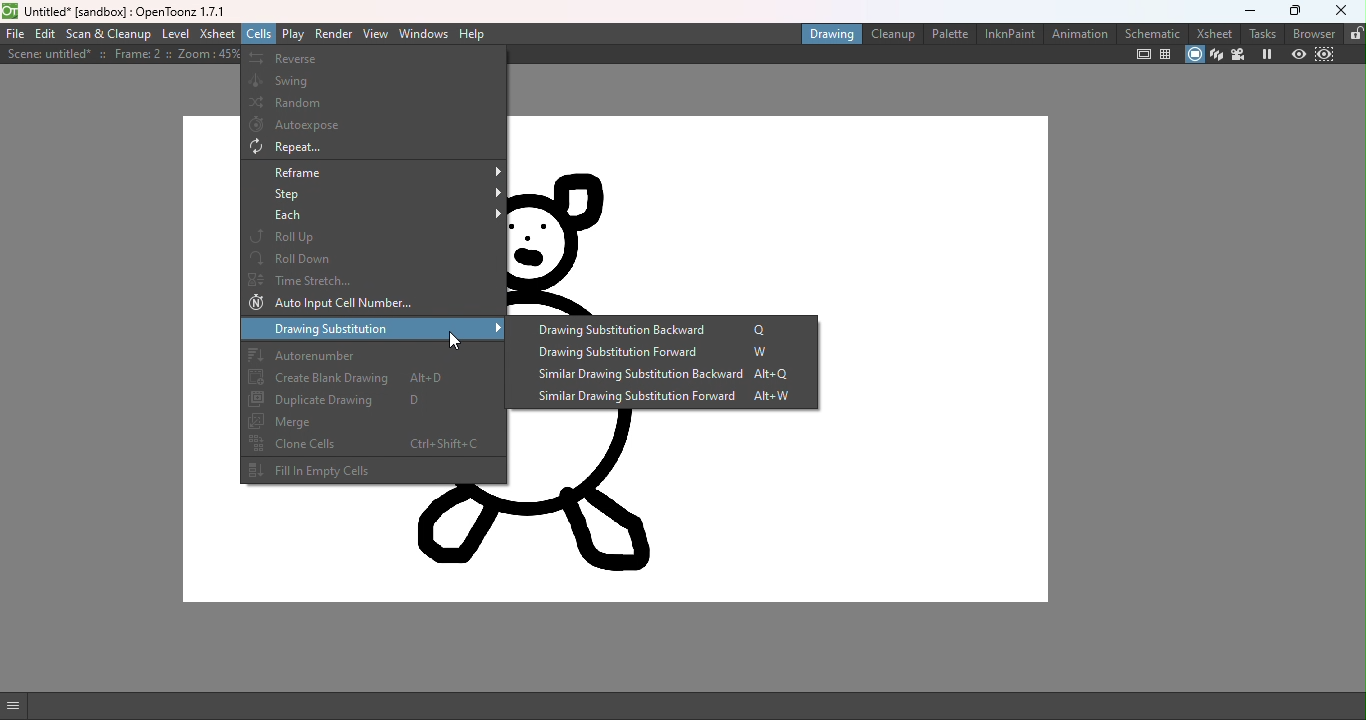 The image size is (1366, 720). What do you see at coordinates (830, 35) in the screenshot?
I see `Drawing` at bounding box center [830, 35].